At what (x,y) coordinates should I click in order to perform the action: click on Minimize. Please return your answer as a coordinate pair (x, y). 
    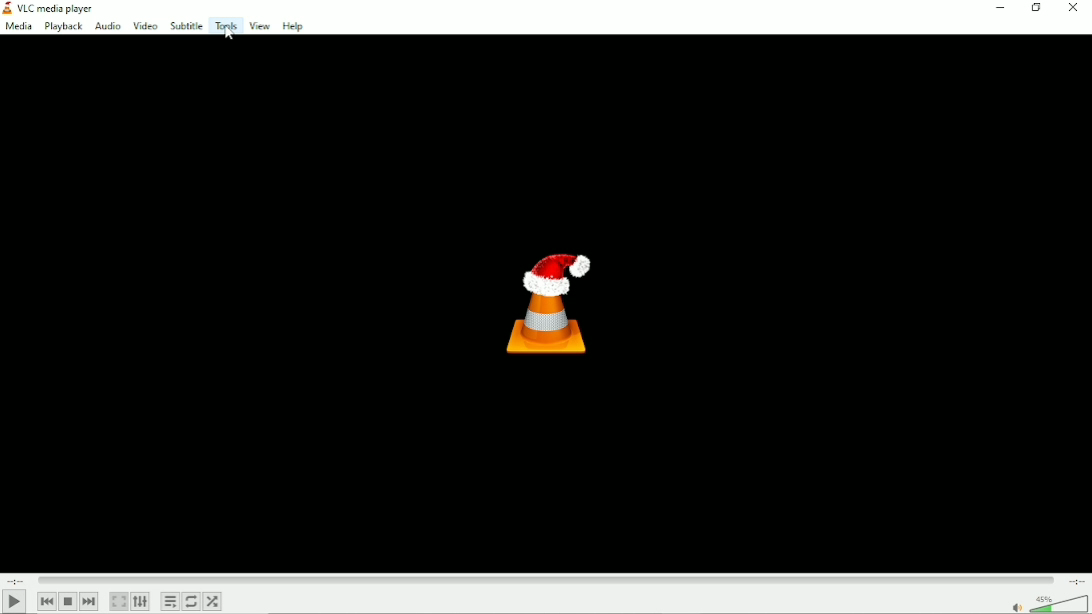
    Looking at the image, I should click on (998, 7).